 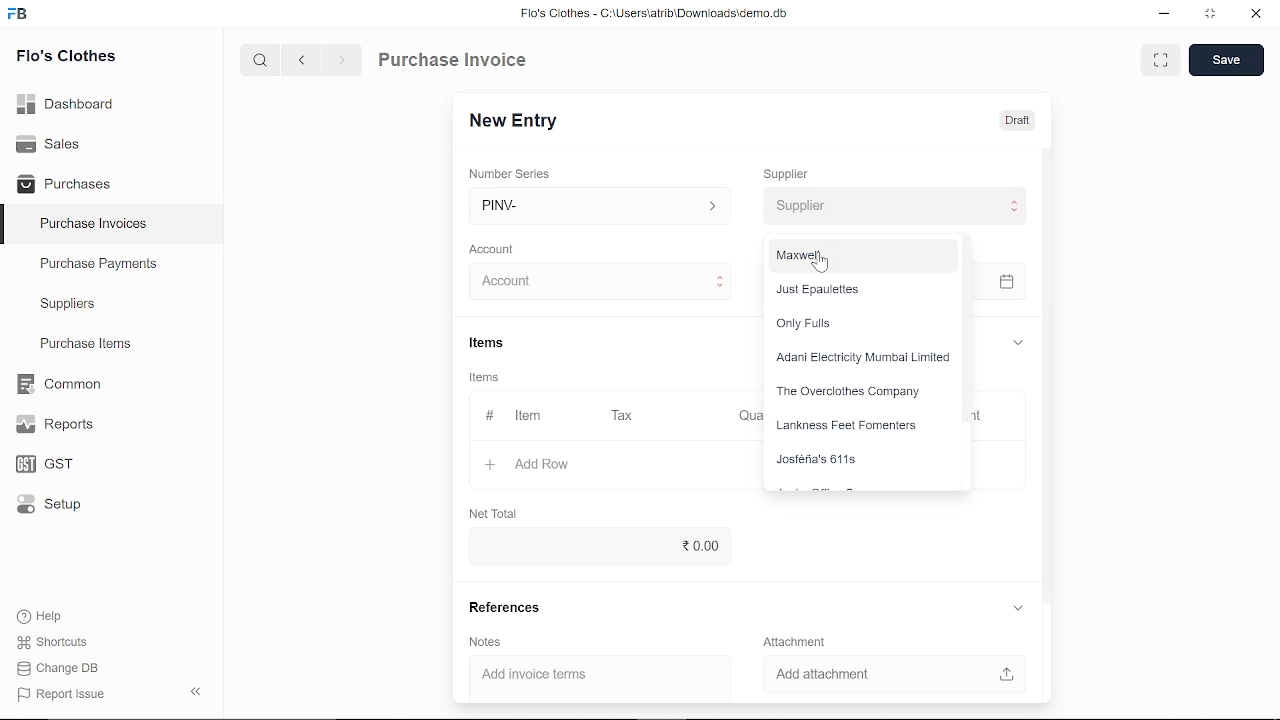 What do you see at coordinates (48, 142) in the screenshot?
I see `Sales` at bounding box center [48, 142].